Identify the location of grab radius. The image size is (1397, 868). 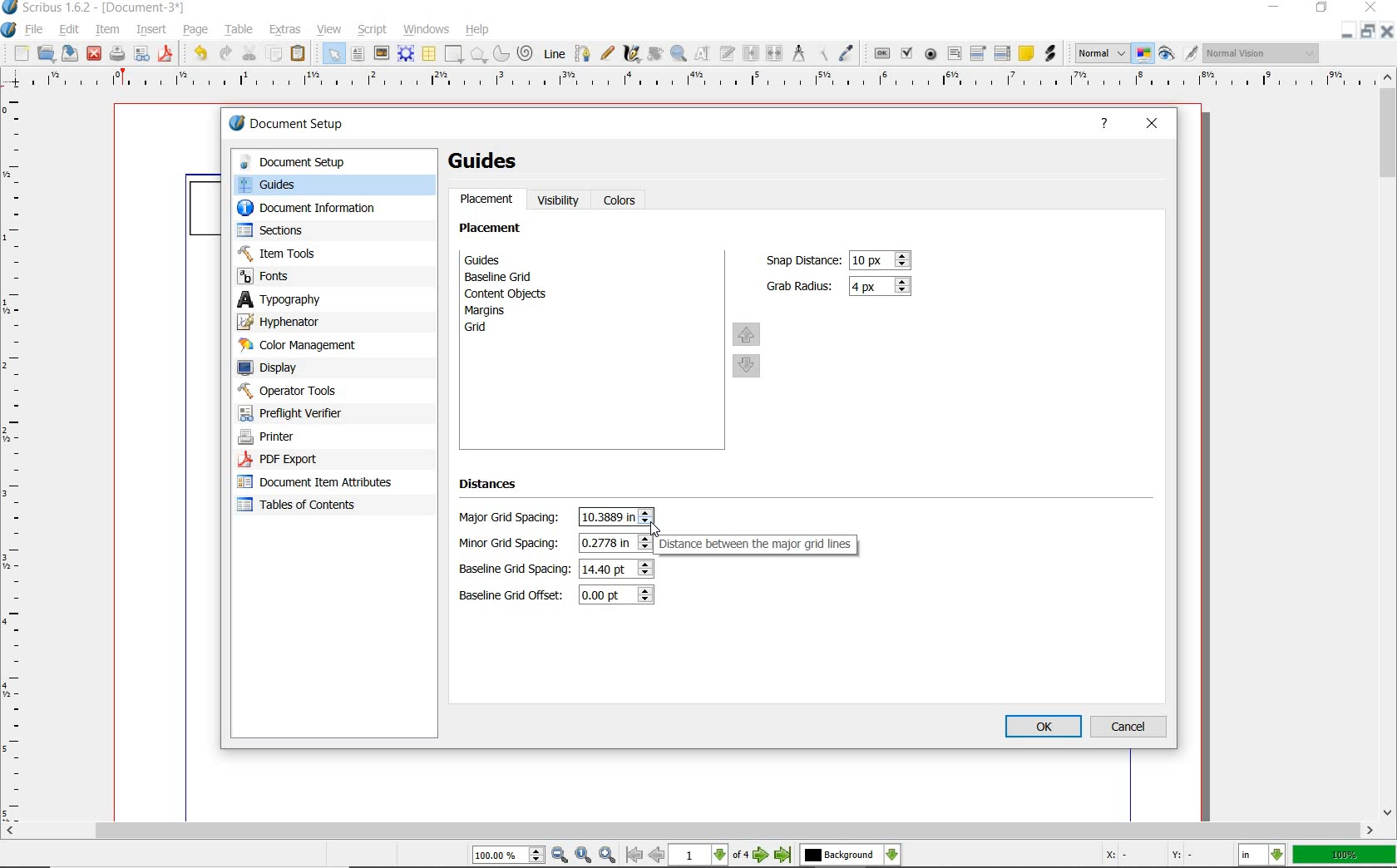
(883, 287).